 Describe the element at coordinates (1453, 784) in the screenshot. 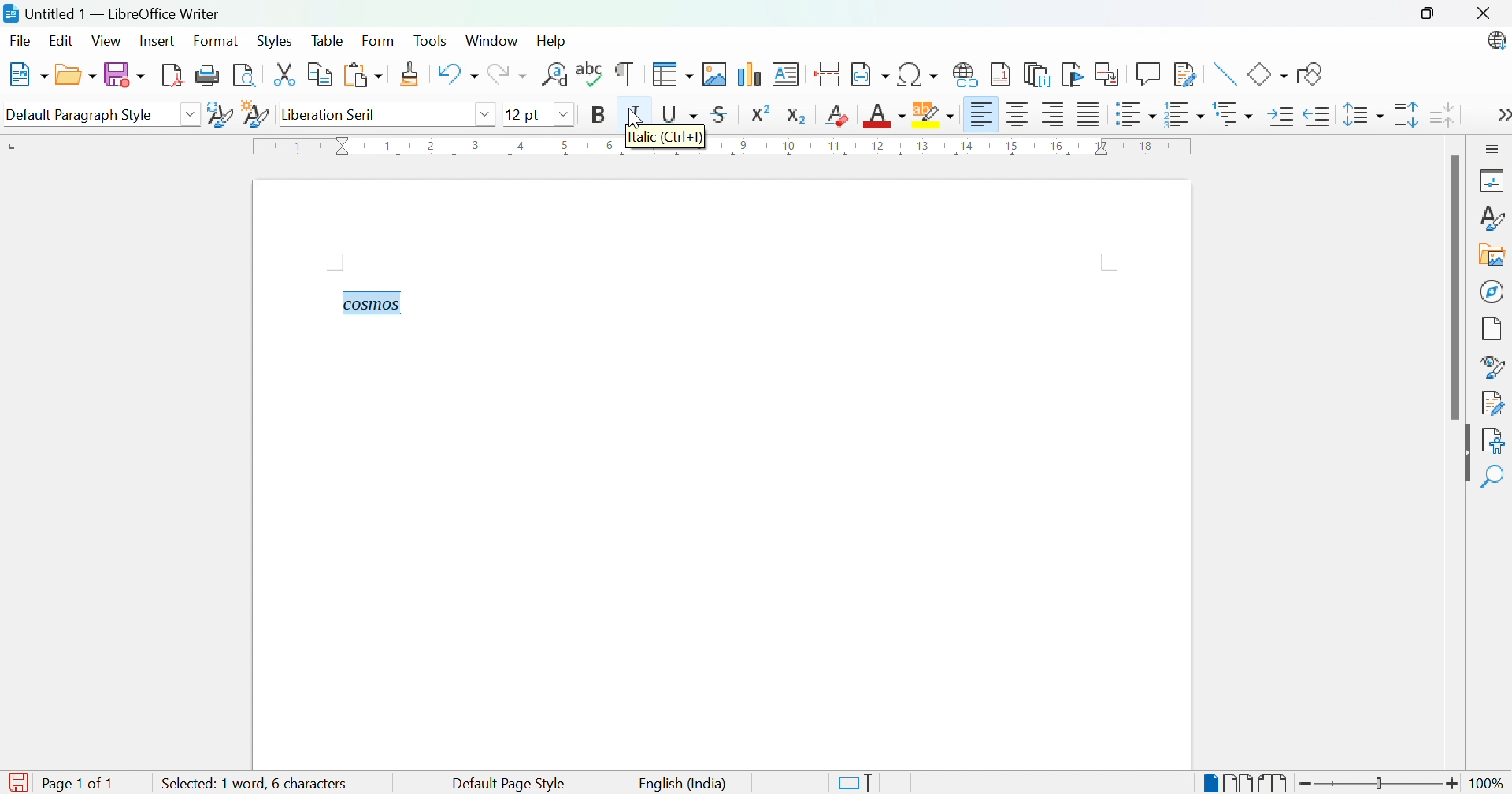

I see `Zoom in` at that location.